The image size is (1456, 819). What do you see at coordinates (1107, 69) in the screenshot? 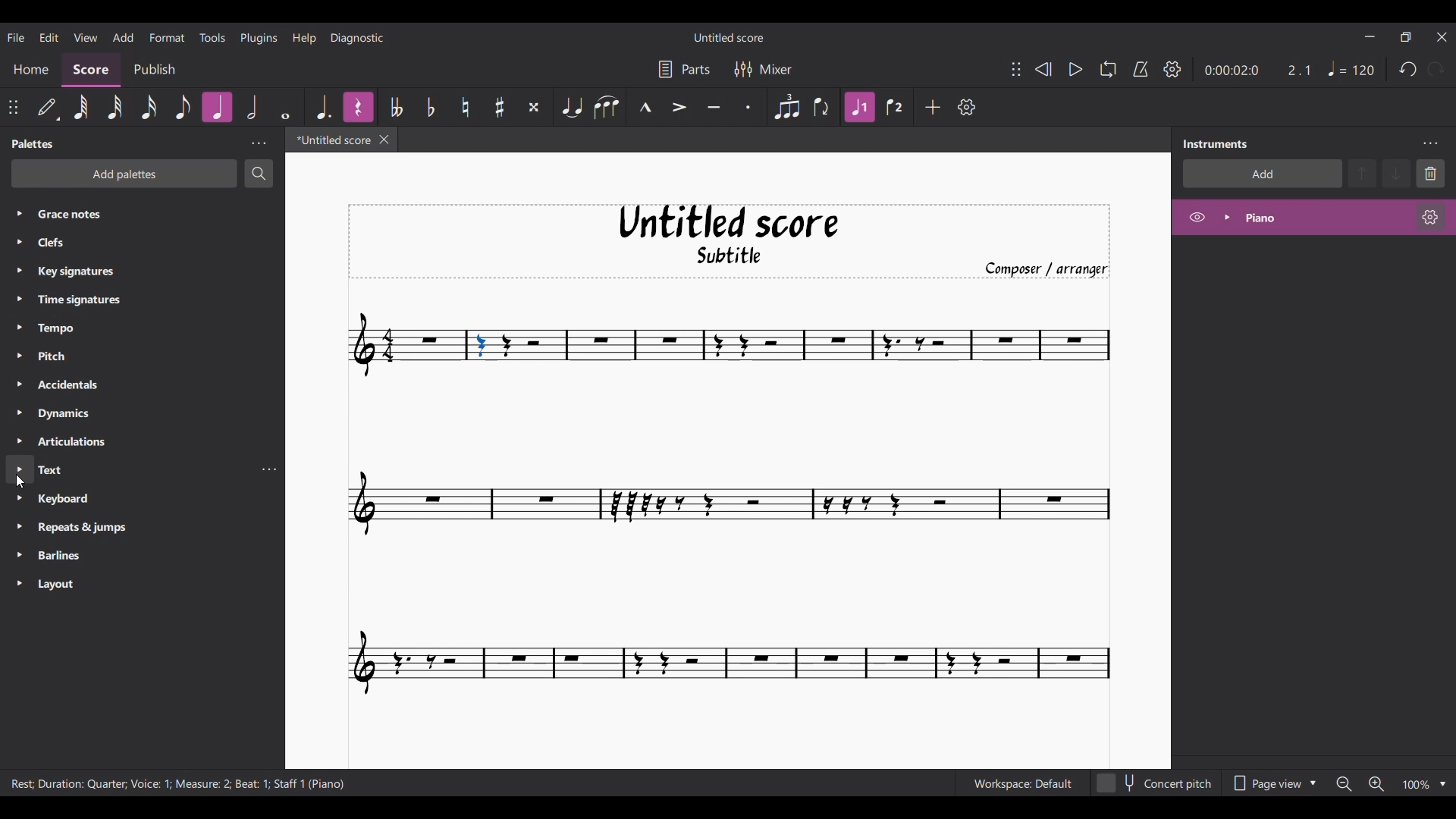
I see `Loop playback` at bounding box center [1107, 69].